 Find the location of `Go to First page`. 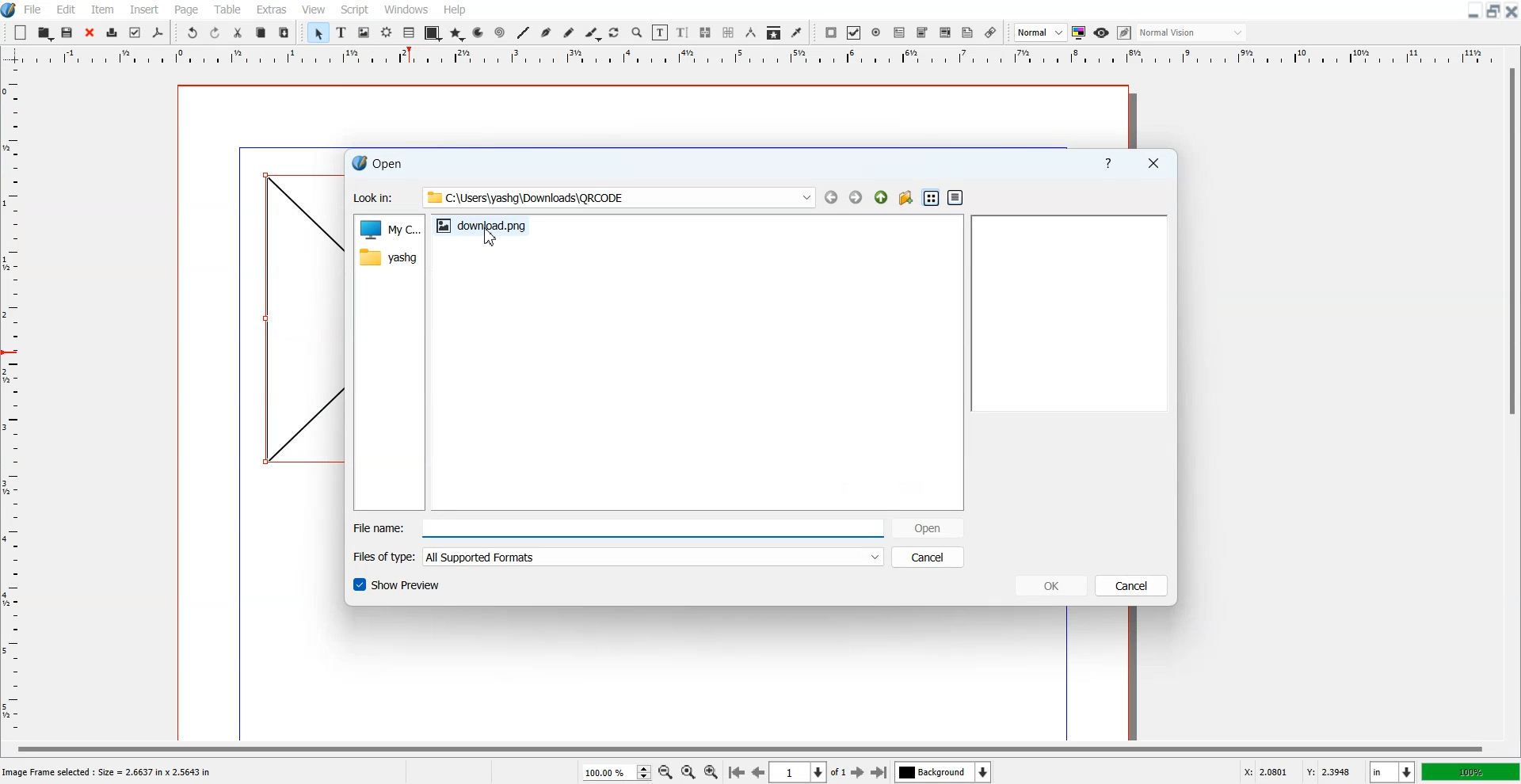

Go to First page is located at coordinates (737, 771).